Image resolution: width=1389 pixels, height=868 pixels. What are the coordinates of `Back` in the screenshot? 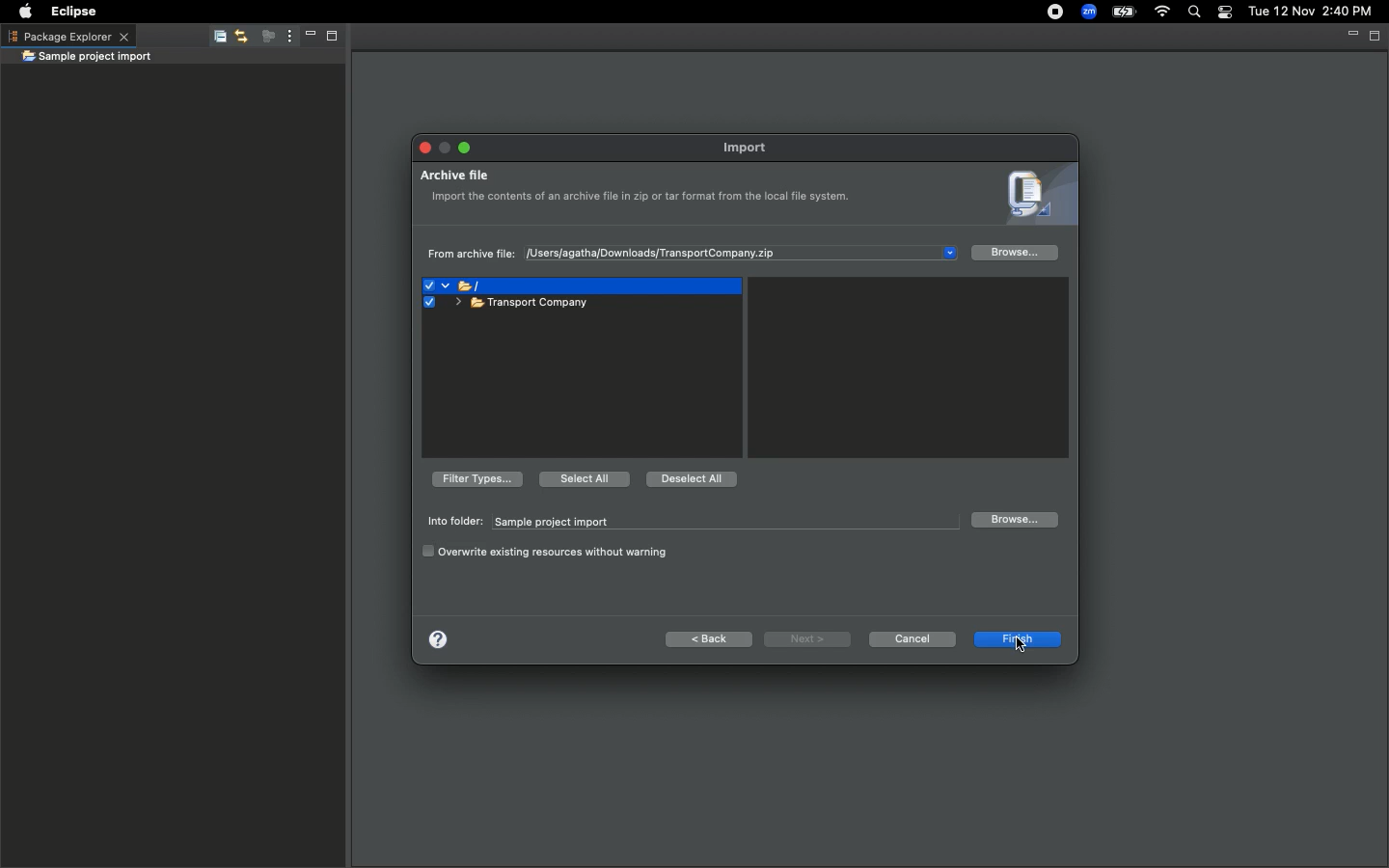 It's located at (710, 639).